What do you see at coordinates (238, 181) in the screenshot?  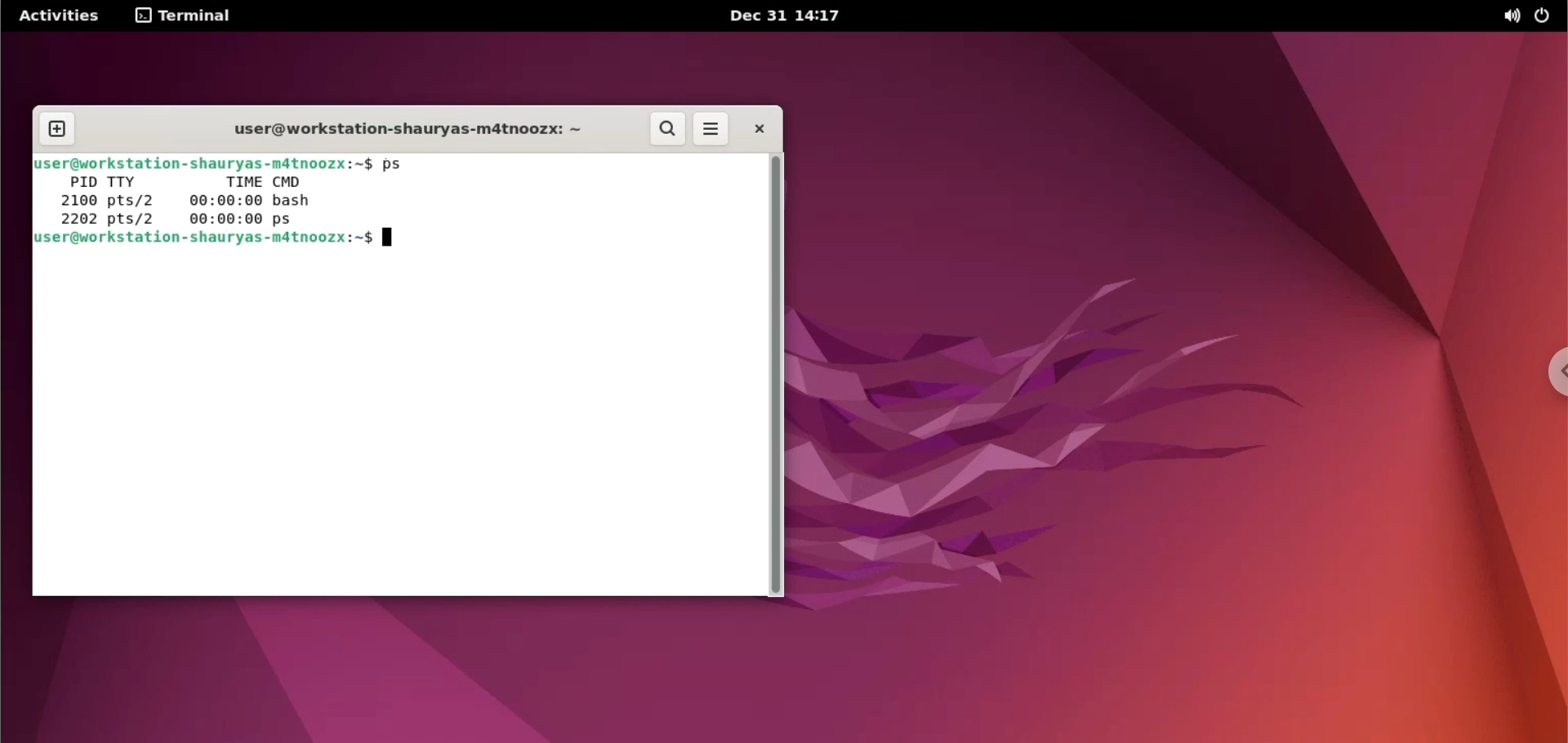 I see `time ` at bounding box center [238, 181].